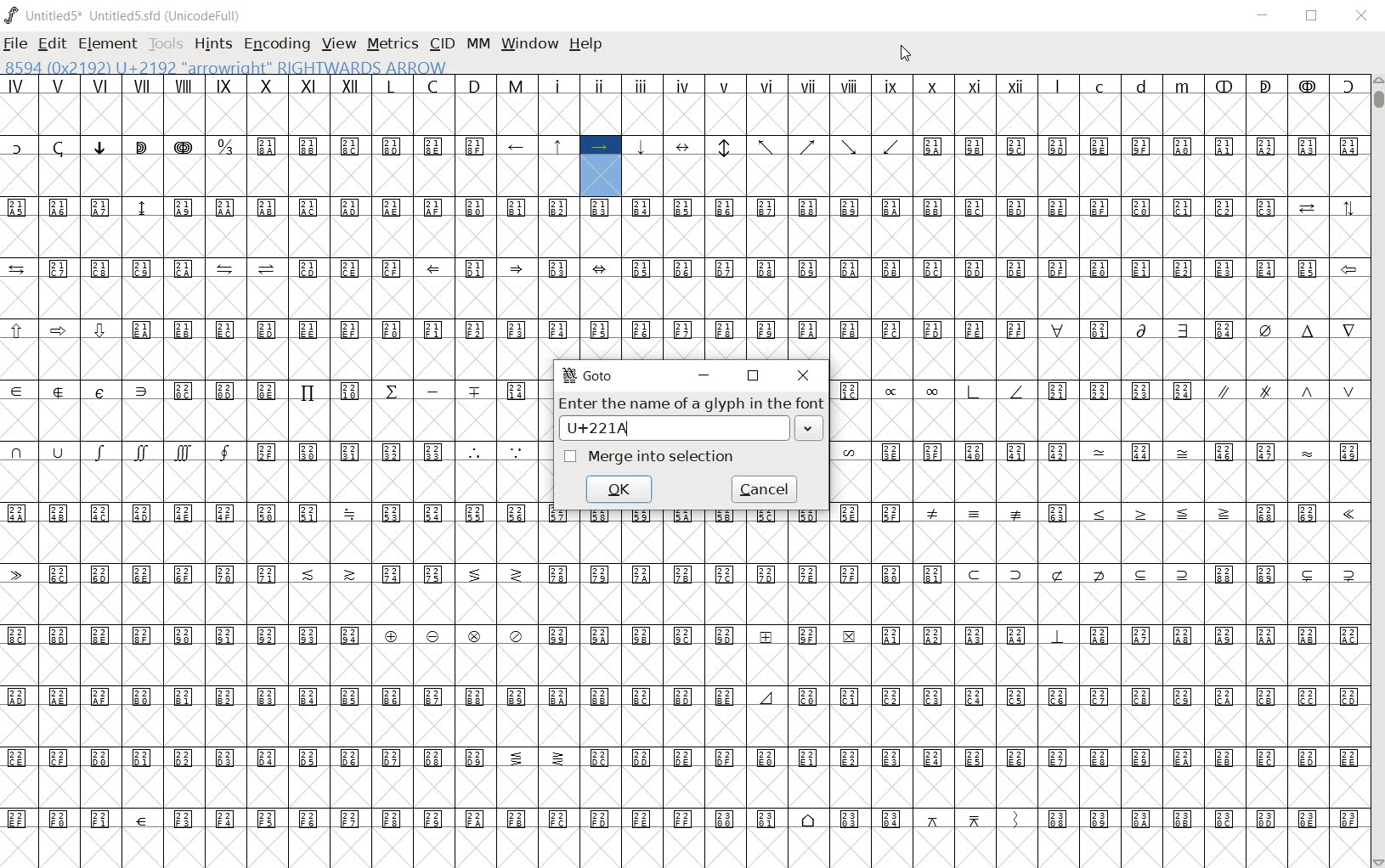 The width and height of the screenshot is (1385, 868). Describe the element at coordinates (390, 45) in the screenshot. I see `METRICS` at that location.